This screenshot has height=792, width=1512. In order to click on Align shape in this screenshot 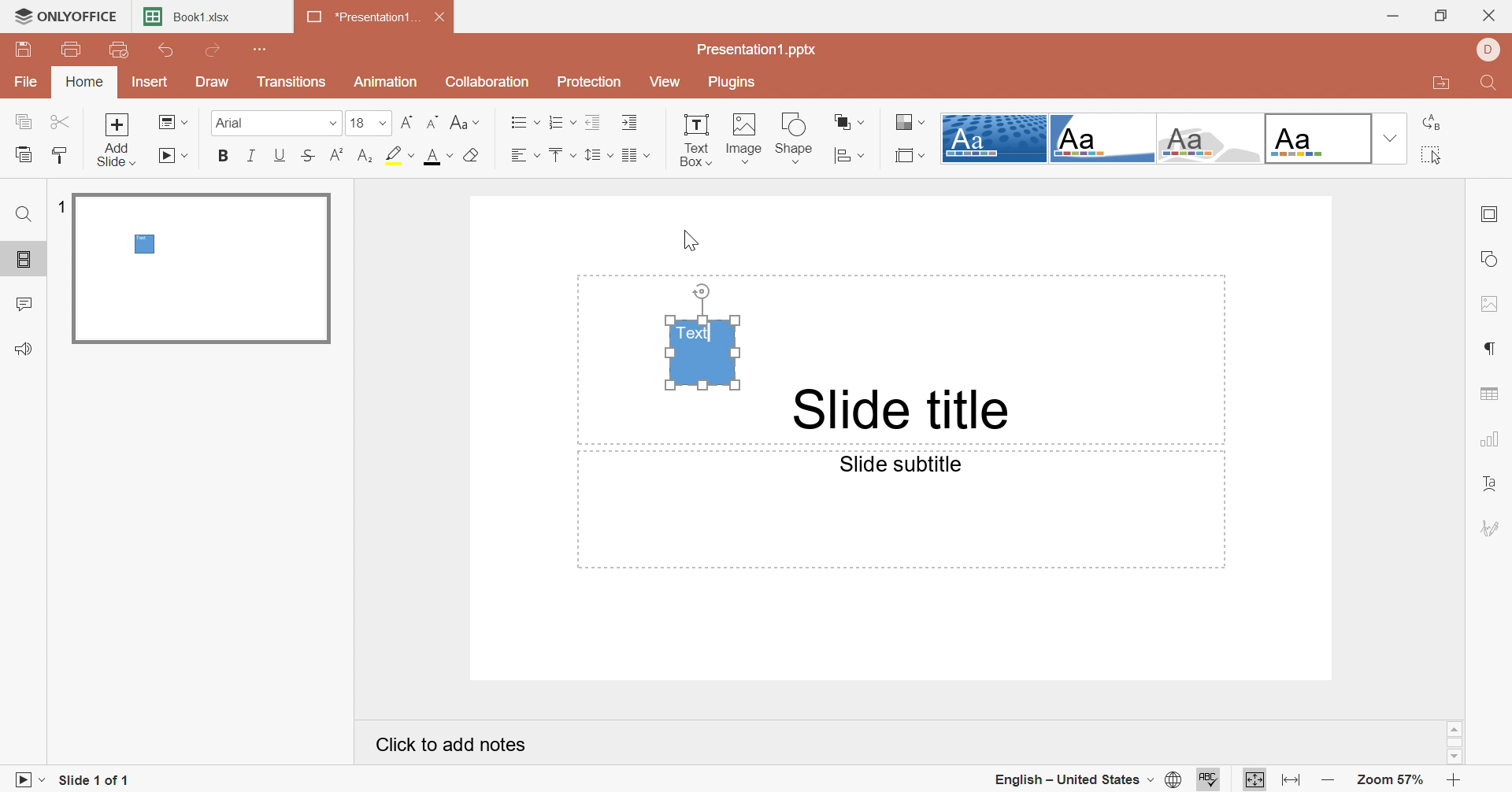, I will do `click(850, 156)`.